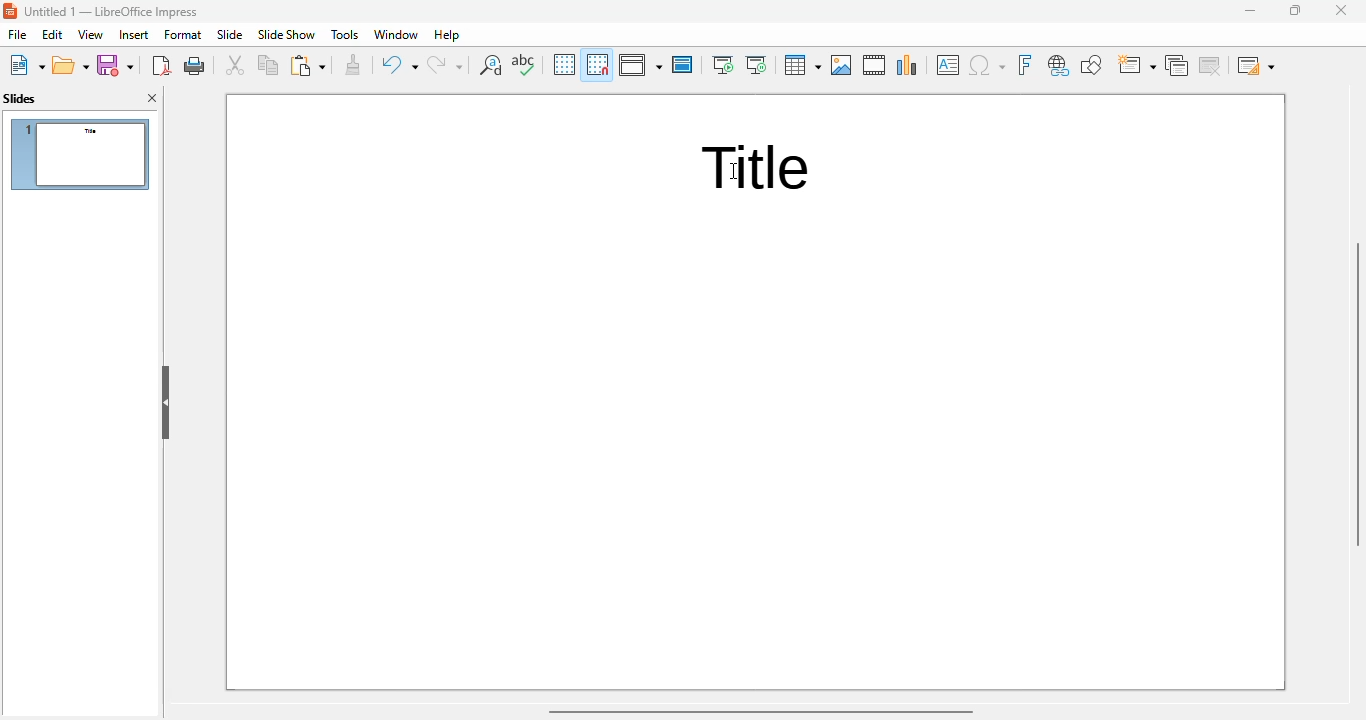 Image resolution: width=1366 pixels, height=720 pixels. What do you see at coordinates (163, 65) in the screenshot?
I see `export directly as PDF` at bounding box center [163, 65].